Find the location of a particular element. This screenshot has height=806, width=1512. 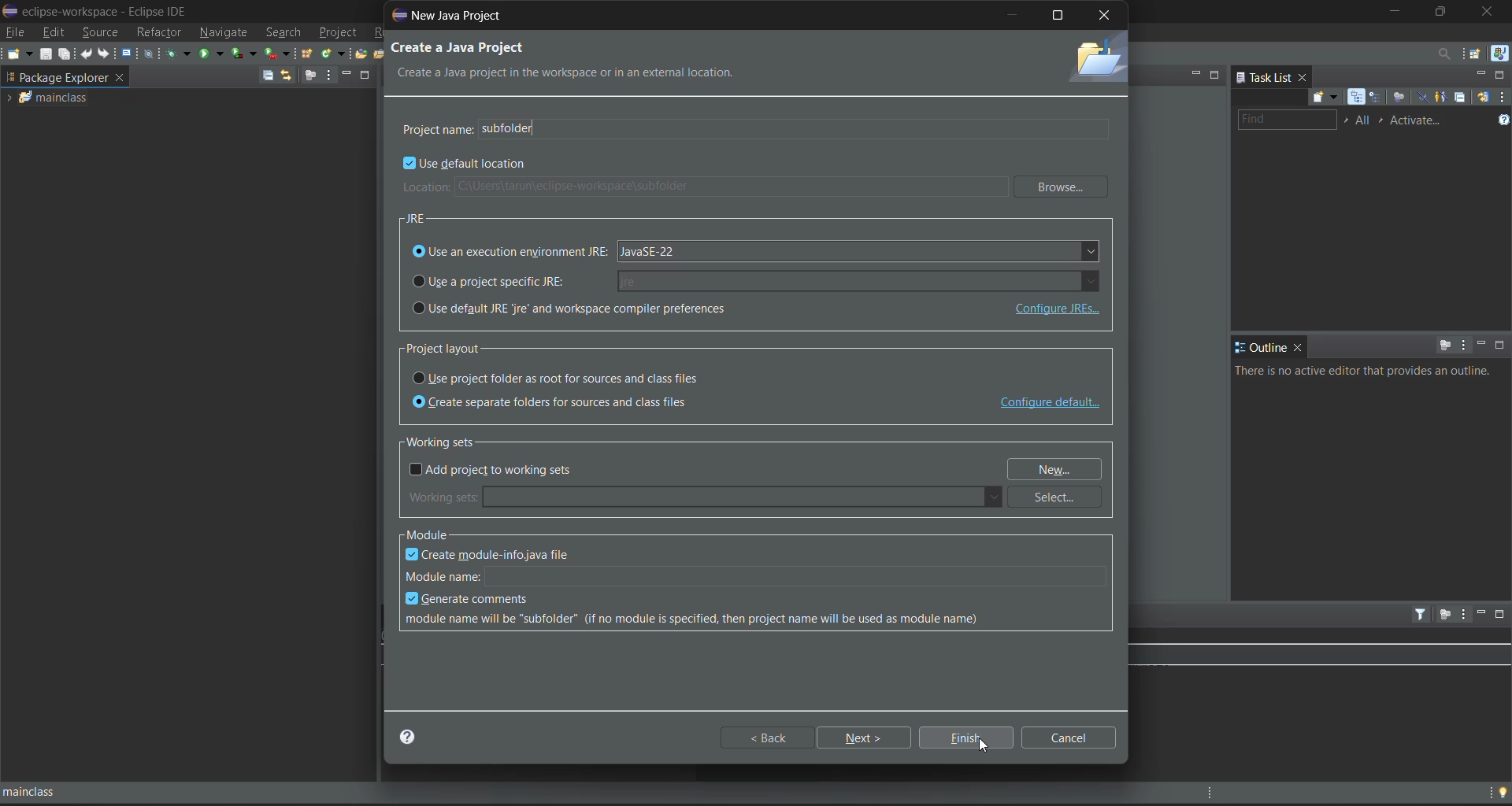

maximize is located at coordinates (1503, 615).